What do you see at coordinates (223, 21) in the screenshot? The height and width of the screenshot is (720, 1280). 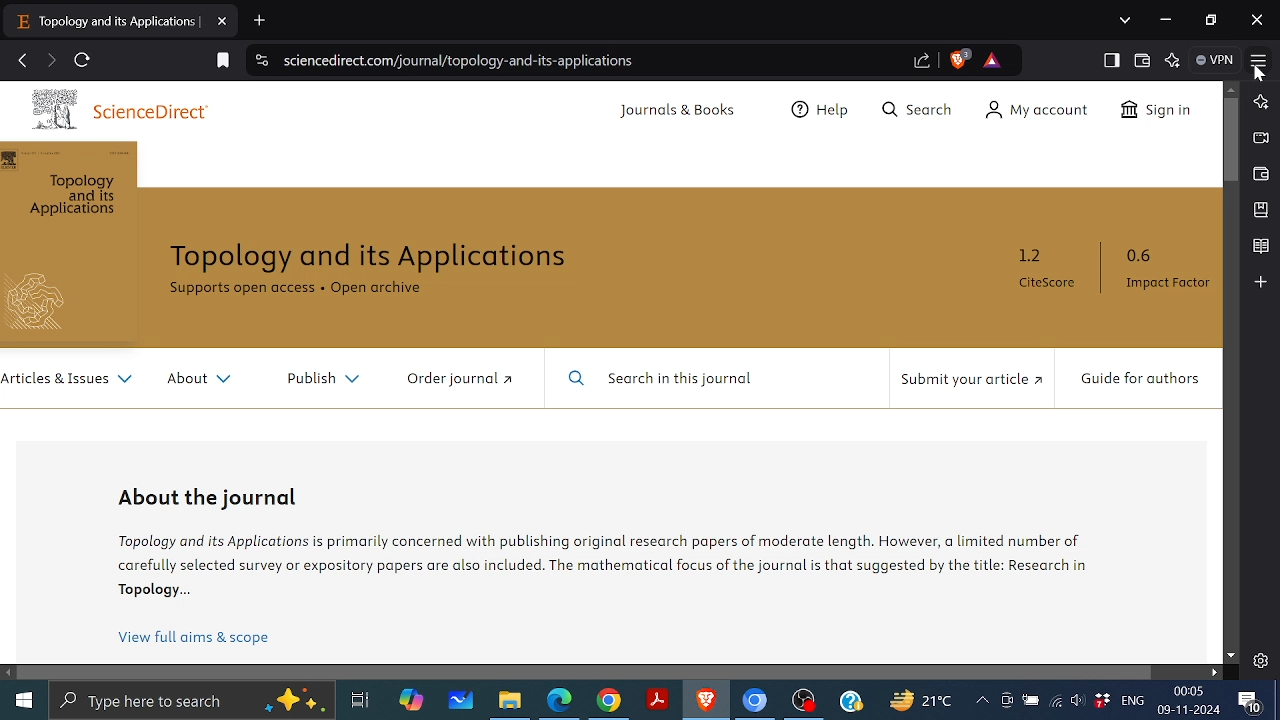 I see `Close window` at bounding box center [223, 21].